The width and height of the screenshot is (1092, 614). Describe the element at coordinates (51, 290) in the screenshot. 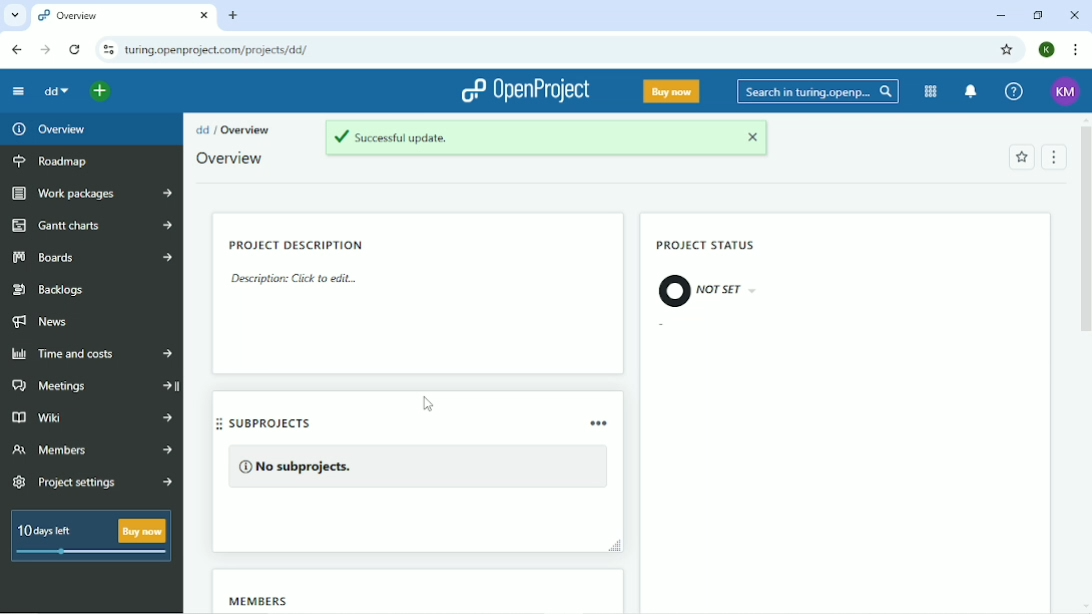

I see `Backlogs` at that location.